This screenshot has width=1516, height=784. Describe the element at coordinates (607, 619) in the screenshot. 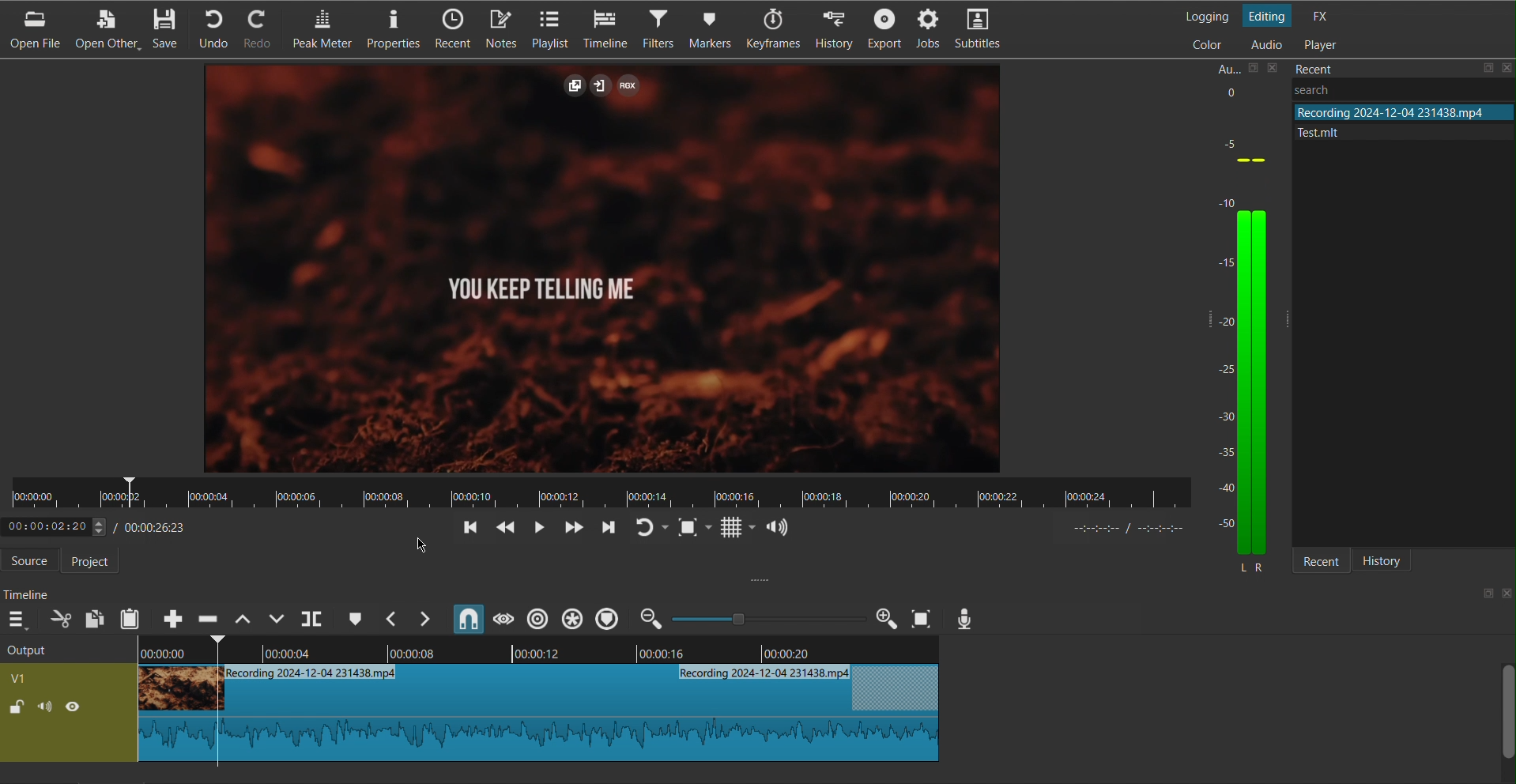

I see `Ripple Markers` at that location.